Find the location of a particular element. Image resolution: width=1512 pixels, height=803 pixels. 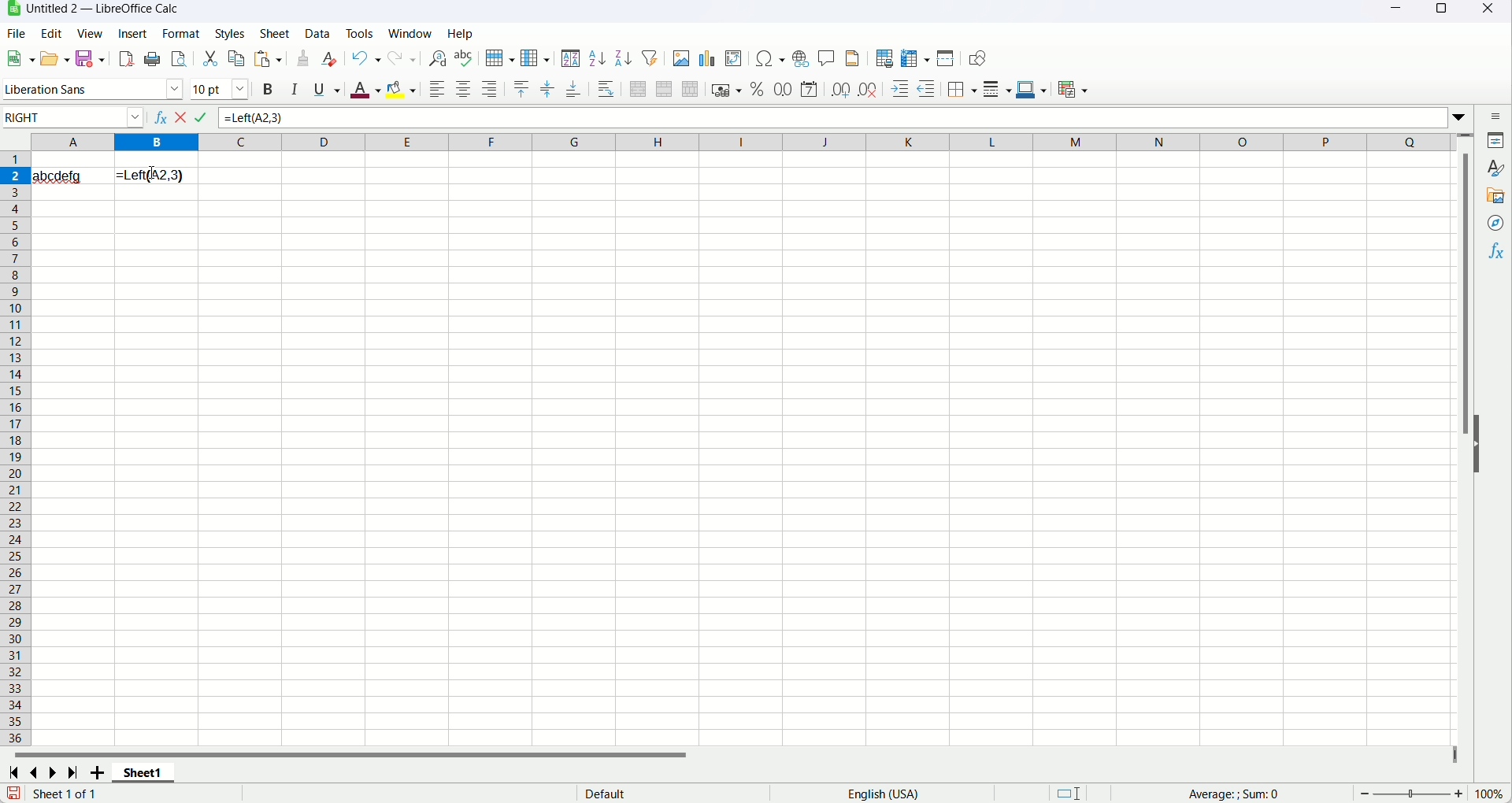

logo is located at coordinates (10, 10).